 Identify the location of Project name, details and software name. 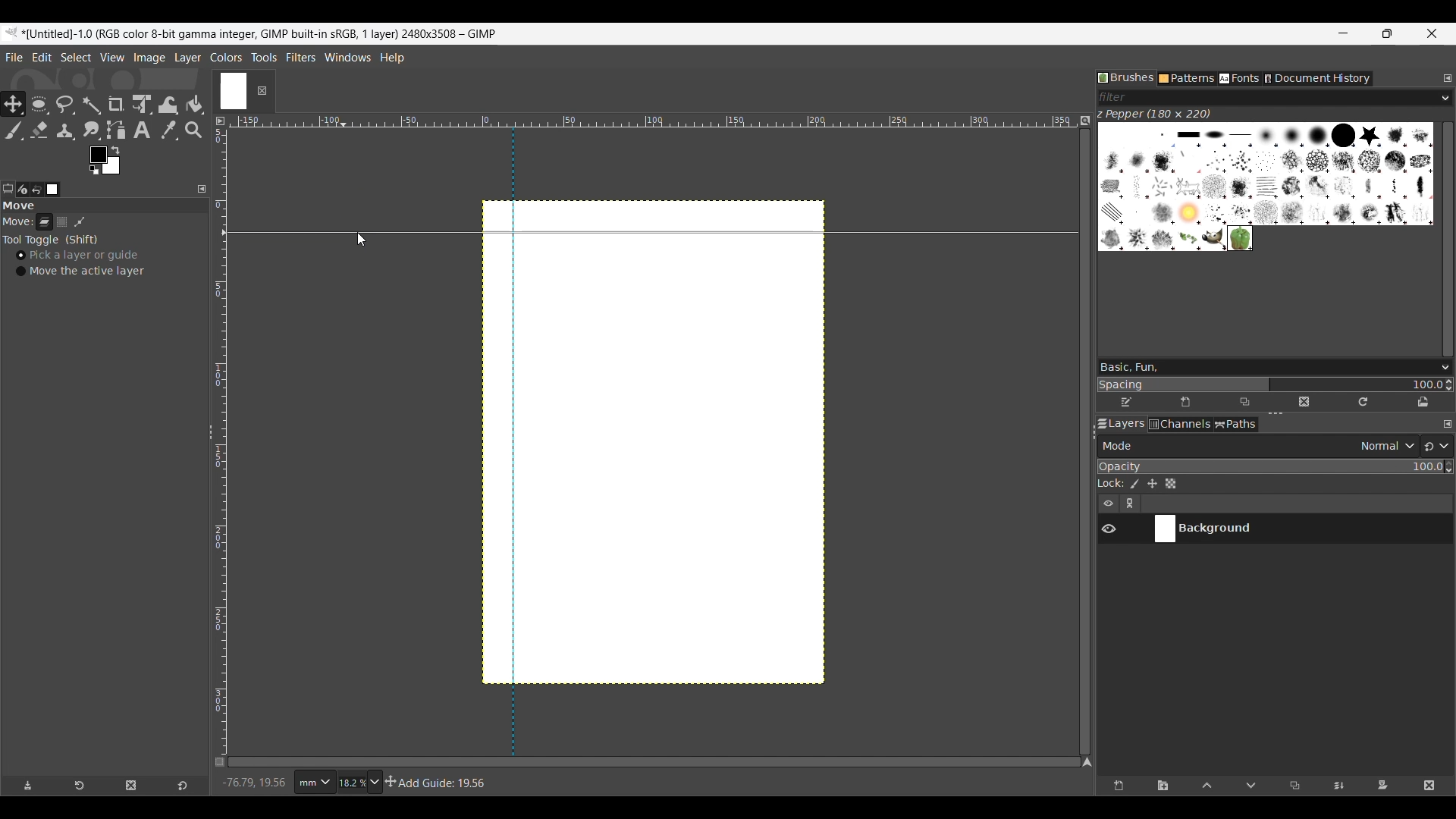
(261, 34).